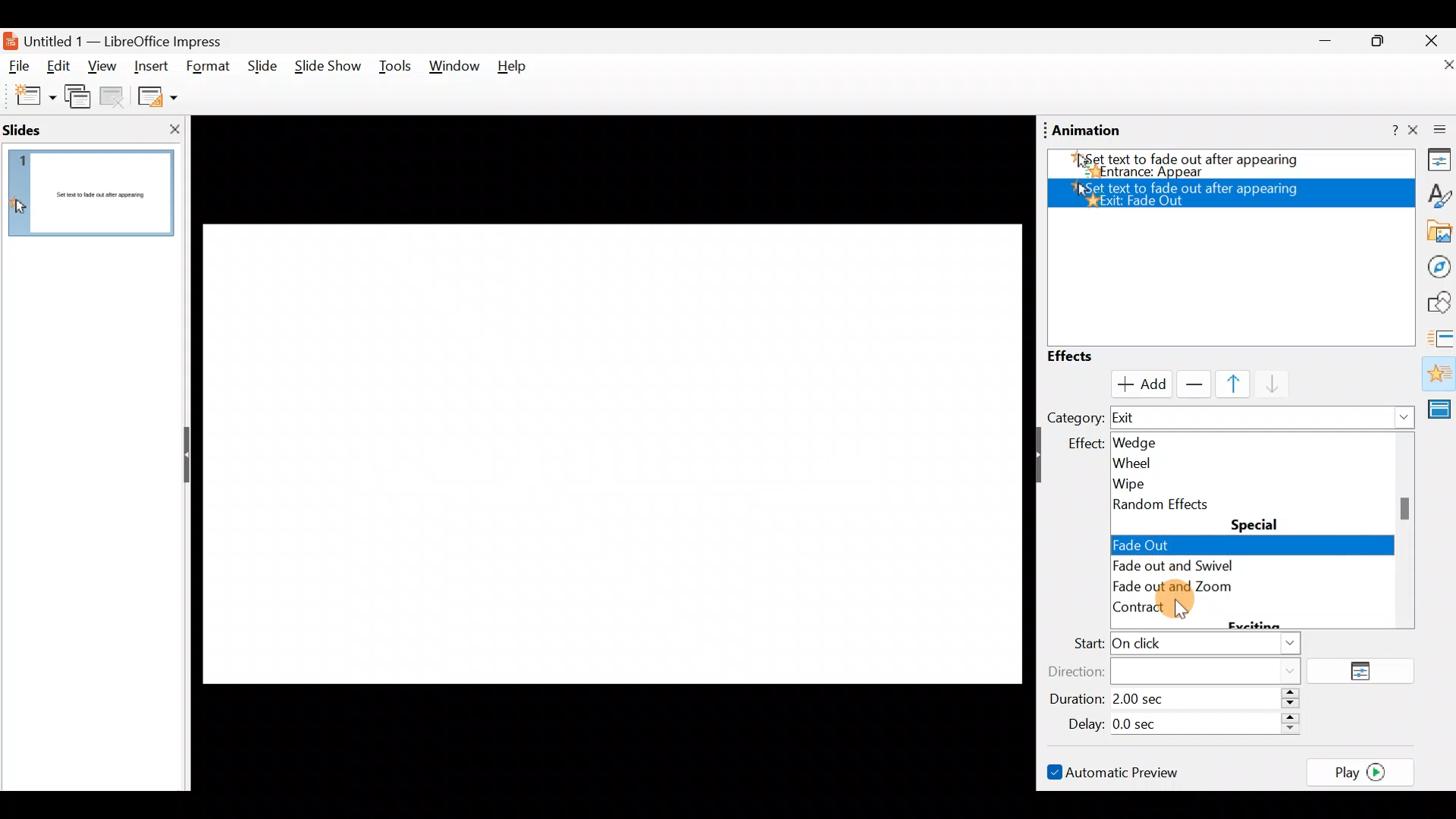 The image size is (1456, 819). I want to click on Direction, so click(1184, 670).